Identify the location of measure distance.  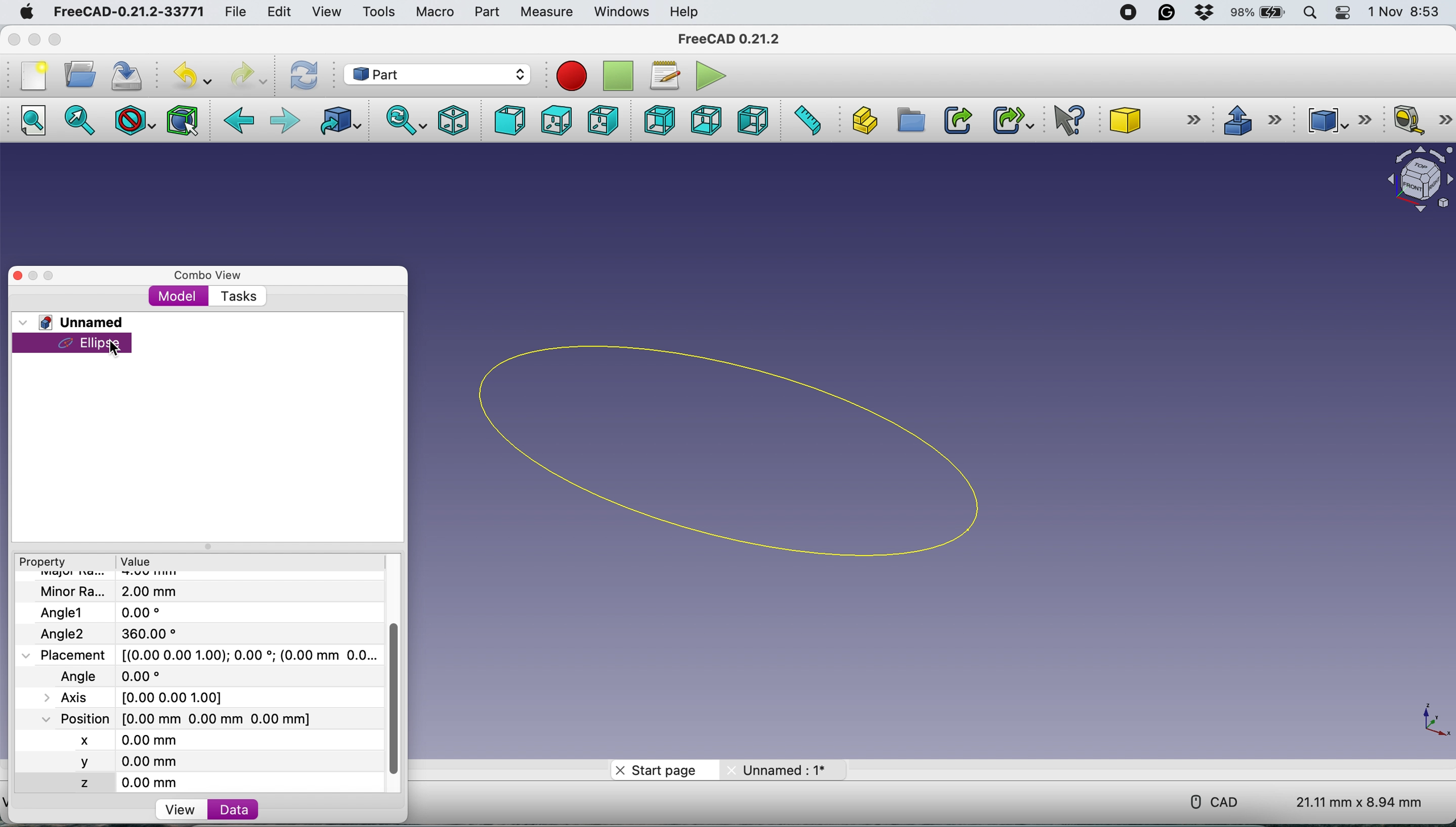
(802, 121).